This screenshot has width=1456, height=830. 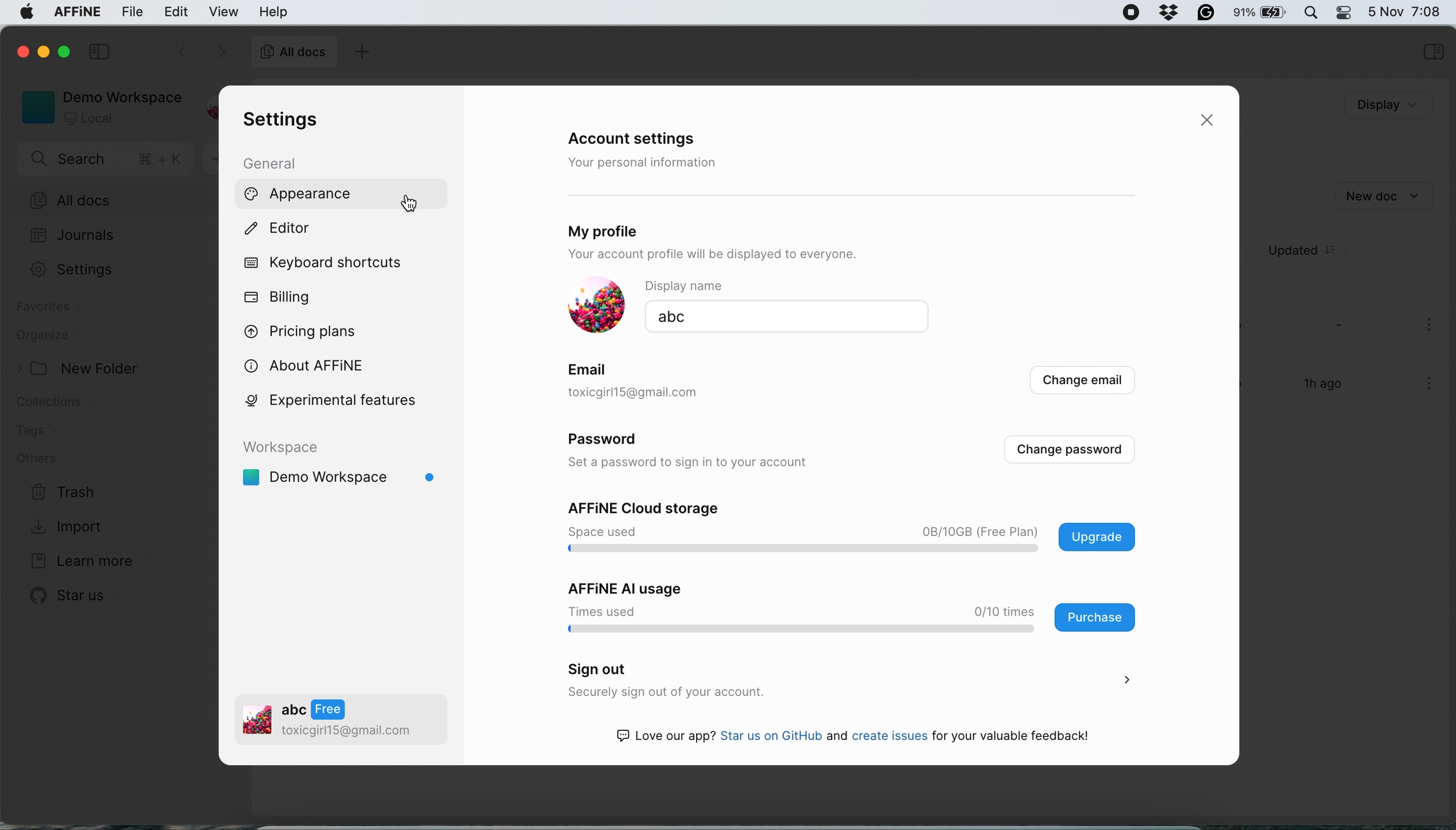 I want to click on switch tabs, so click(x=174, y=50).